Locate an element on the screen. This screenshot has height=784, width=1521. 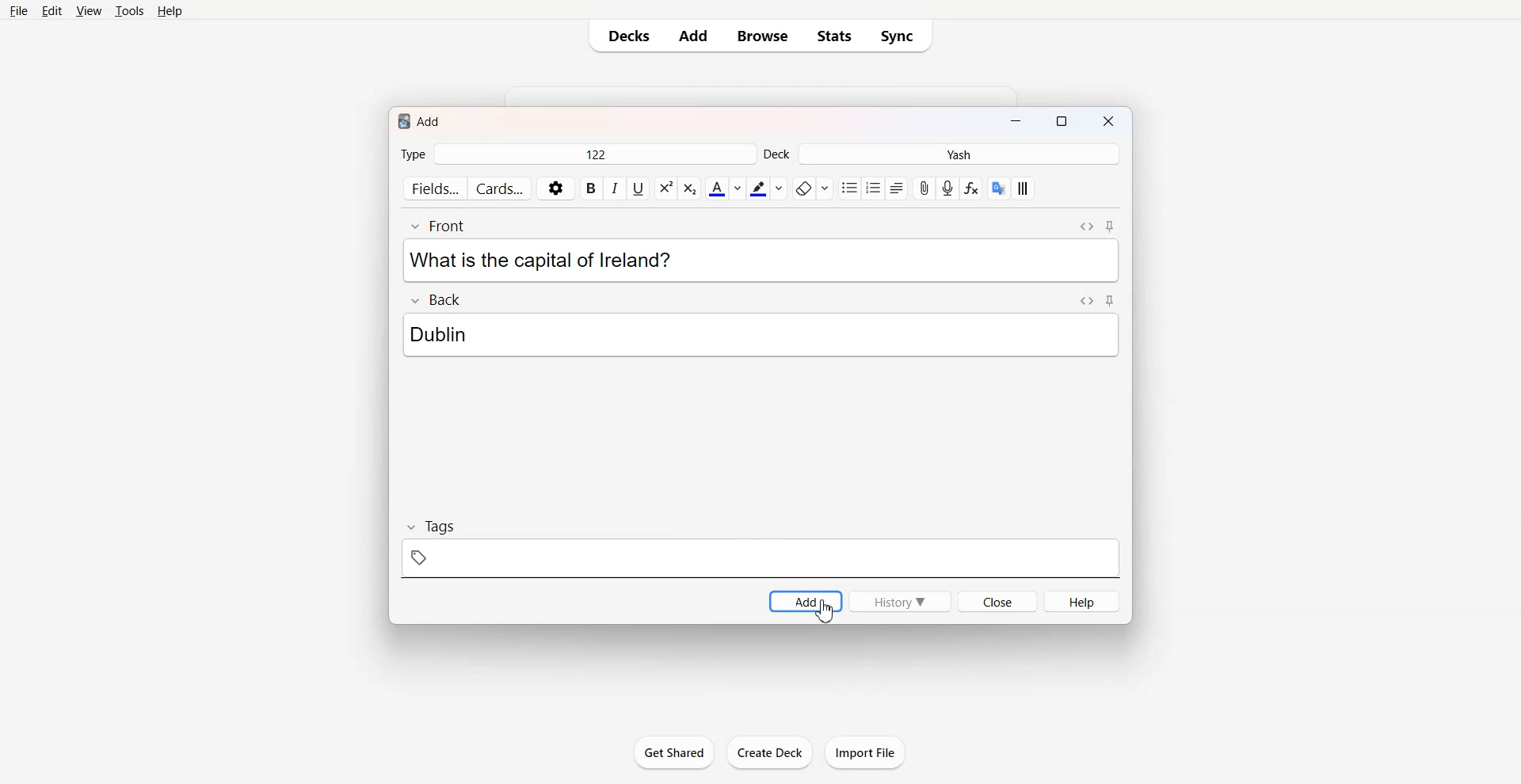
Help is located at coordinates (170, 11).